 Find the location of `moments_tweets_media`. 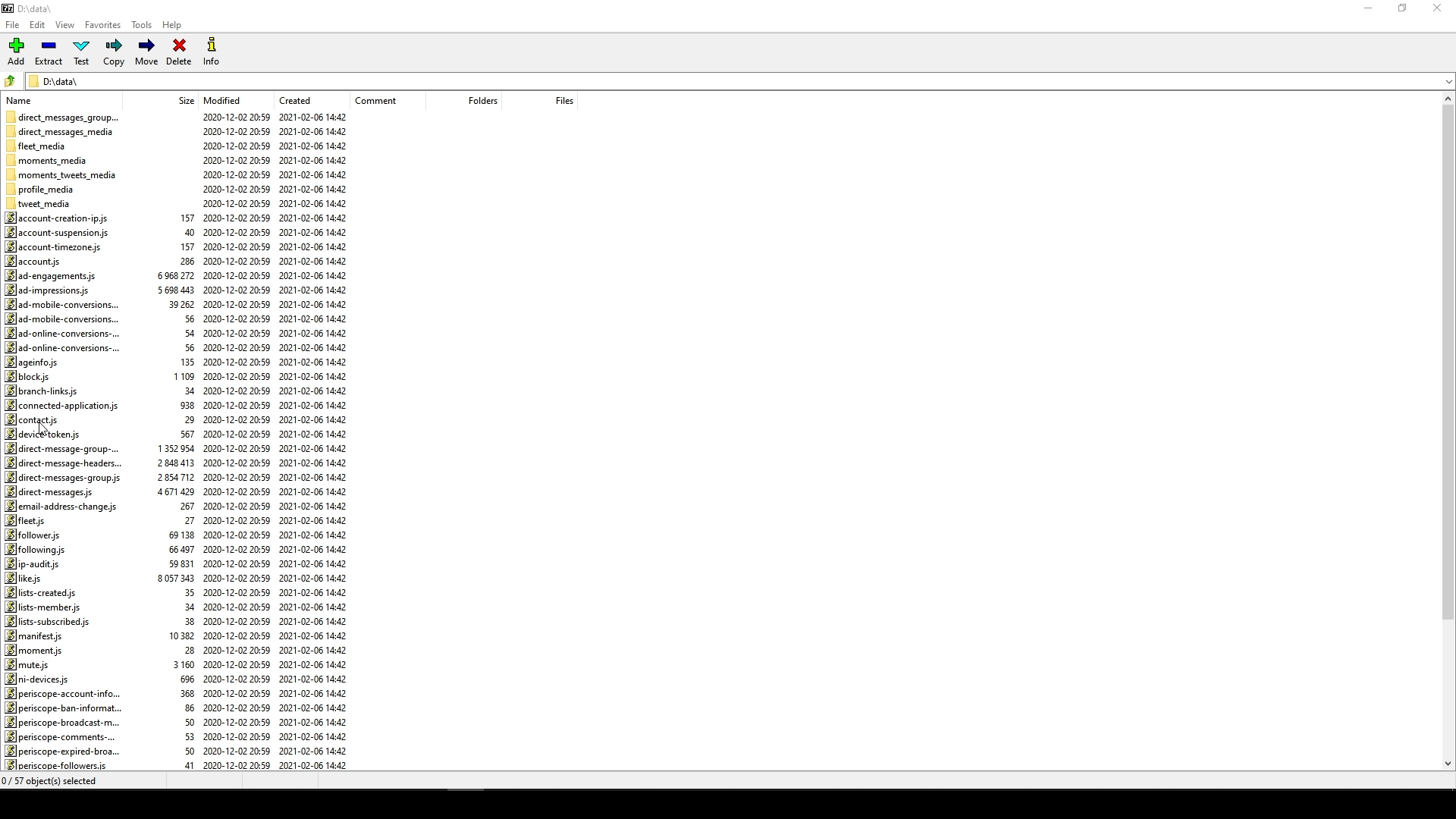

moments_tweets_media is located at coordinates (66, 174).